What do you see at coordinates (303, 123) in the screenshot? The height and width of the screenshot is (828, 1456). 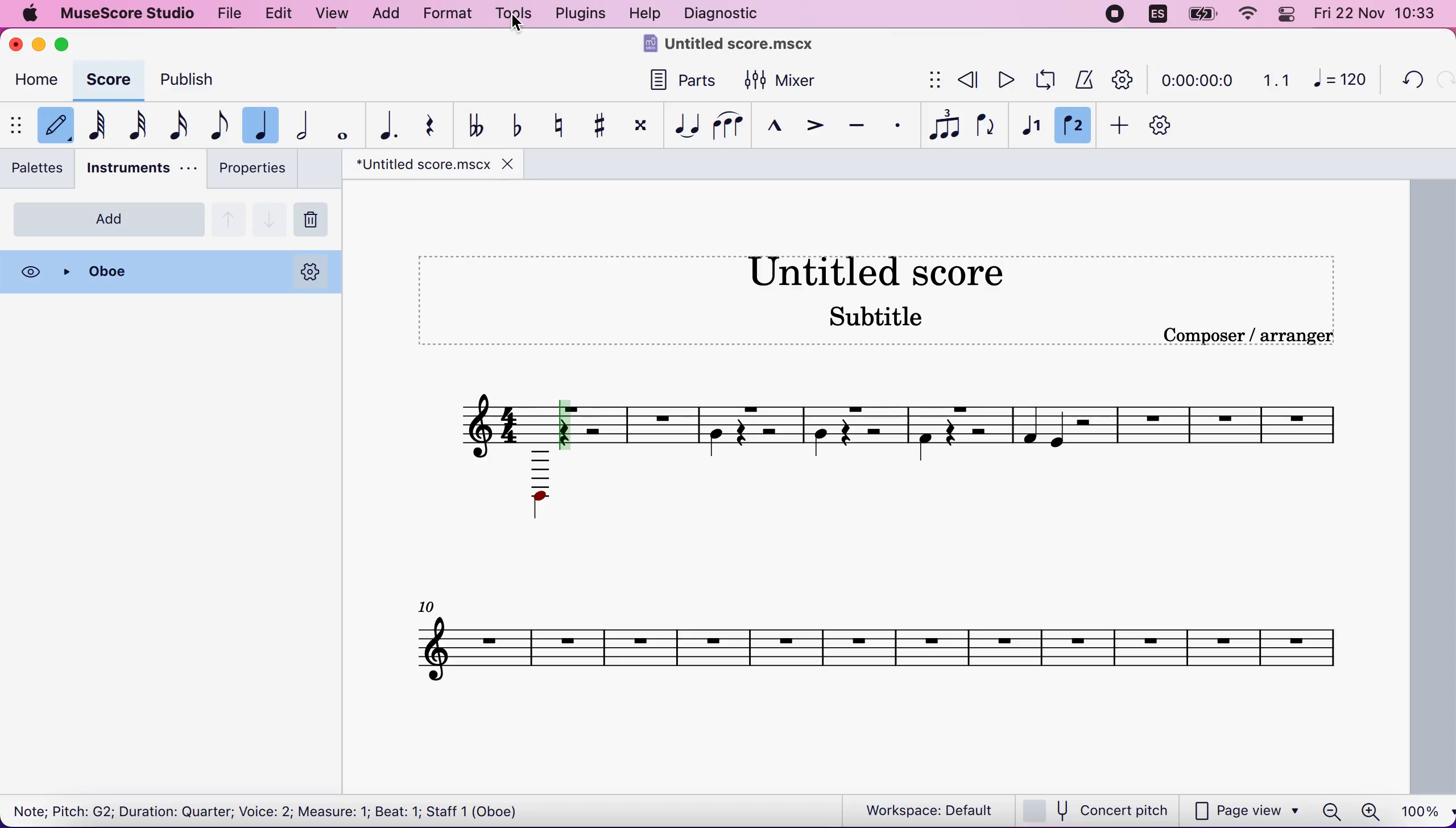 I see `half note` at bounding box center [303, 123].